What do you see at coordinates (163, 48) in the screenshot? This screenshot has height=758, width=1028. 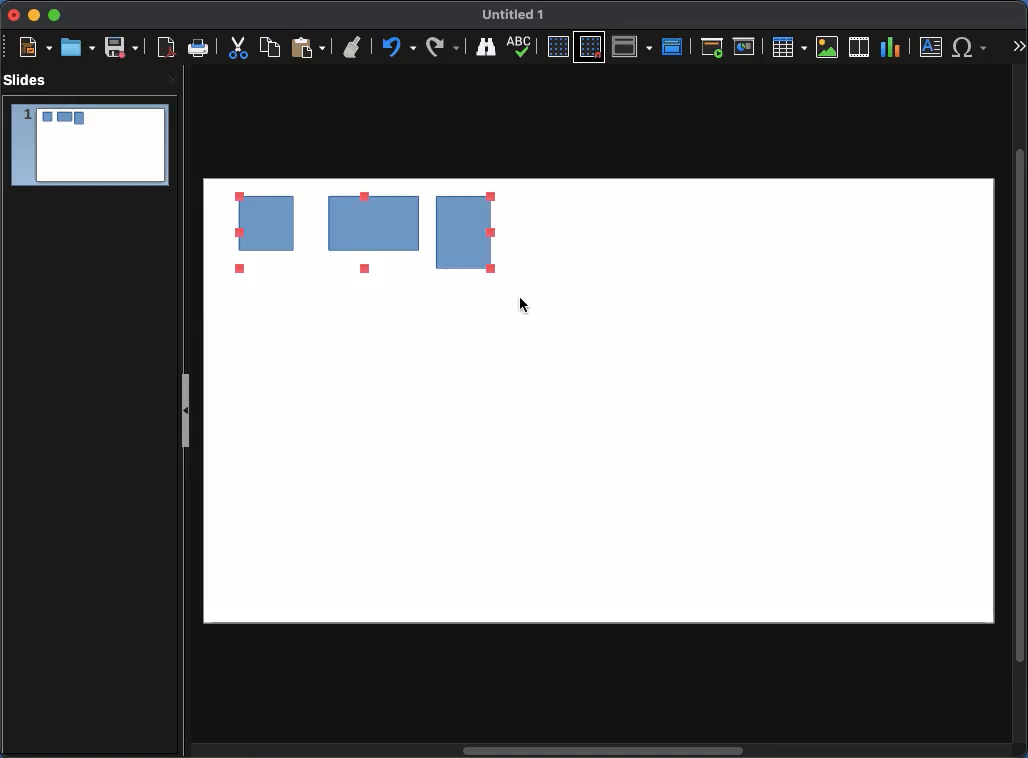 I see `Export as PDF` at bounding box center [163, 48].